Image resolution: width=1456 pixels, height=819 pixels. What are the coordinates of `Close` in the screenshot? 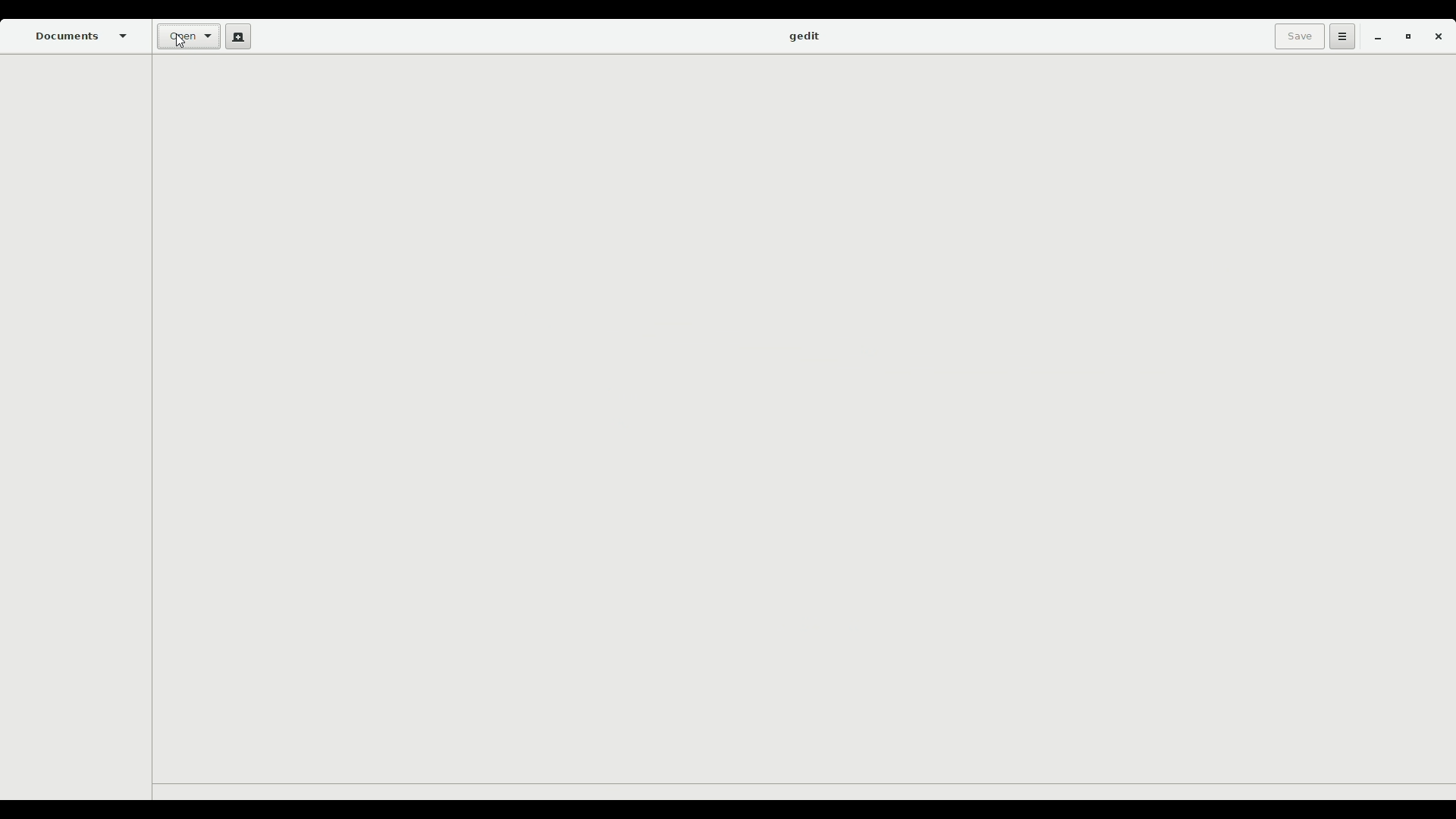 It's located at (1438, 39).